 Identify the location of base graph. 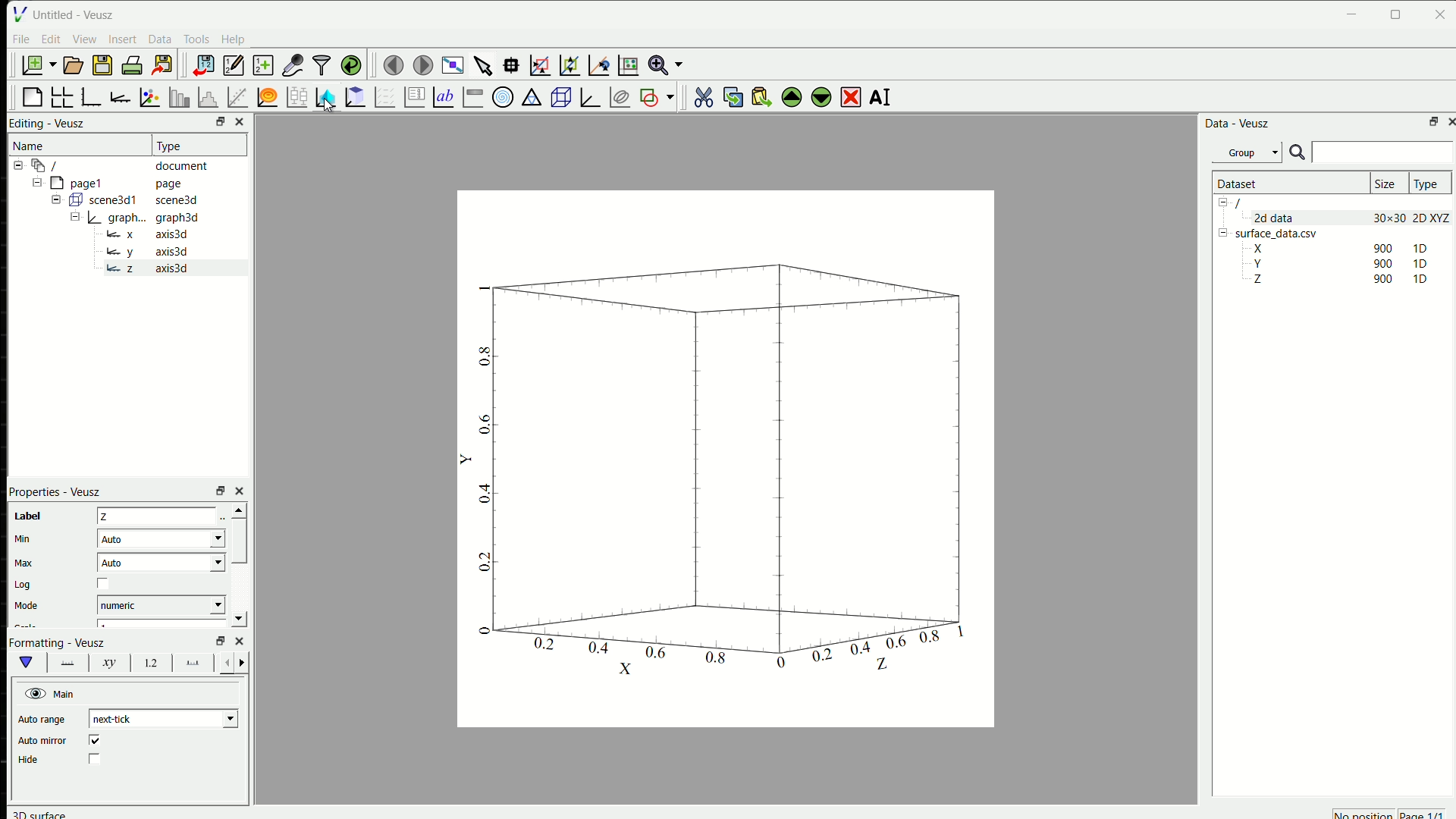
(93, 96).